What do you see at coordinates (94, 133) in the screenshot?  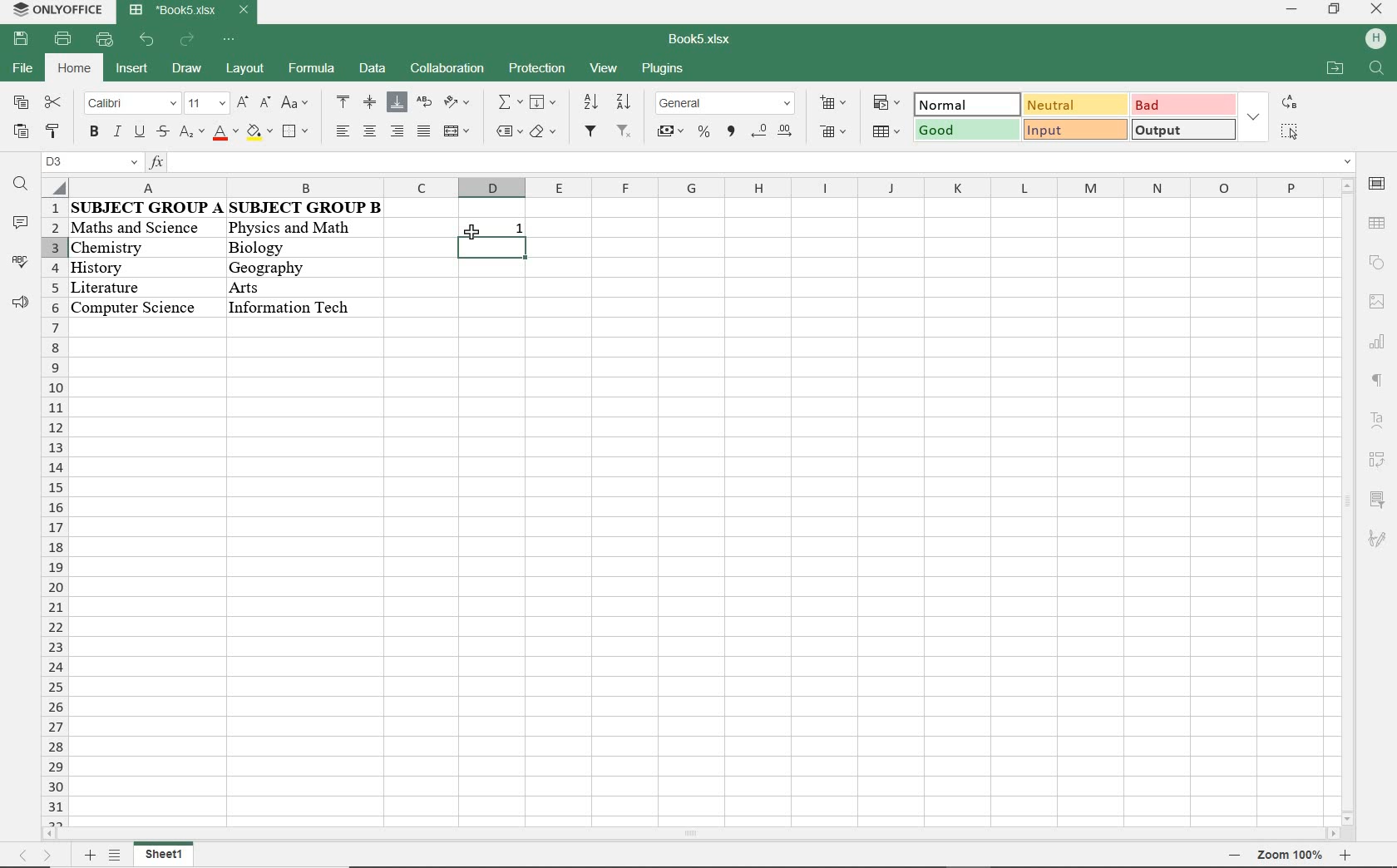 I see `bold` at bounding box center [94, 133].